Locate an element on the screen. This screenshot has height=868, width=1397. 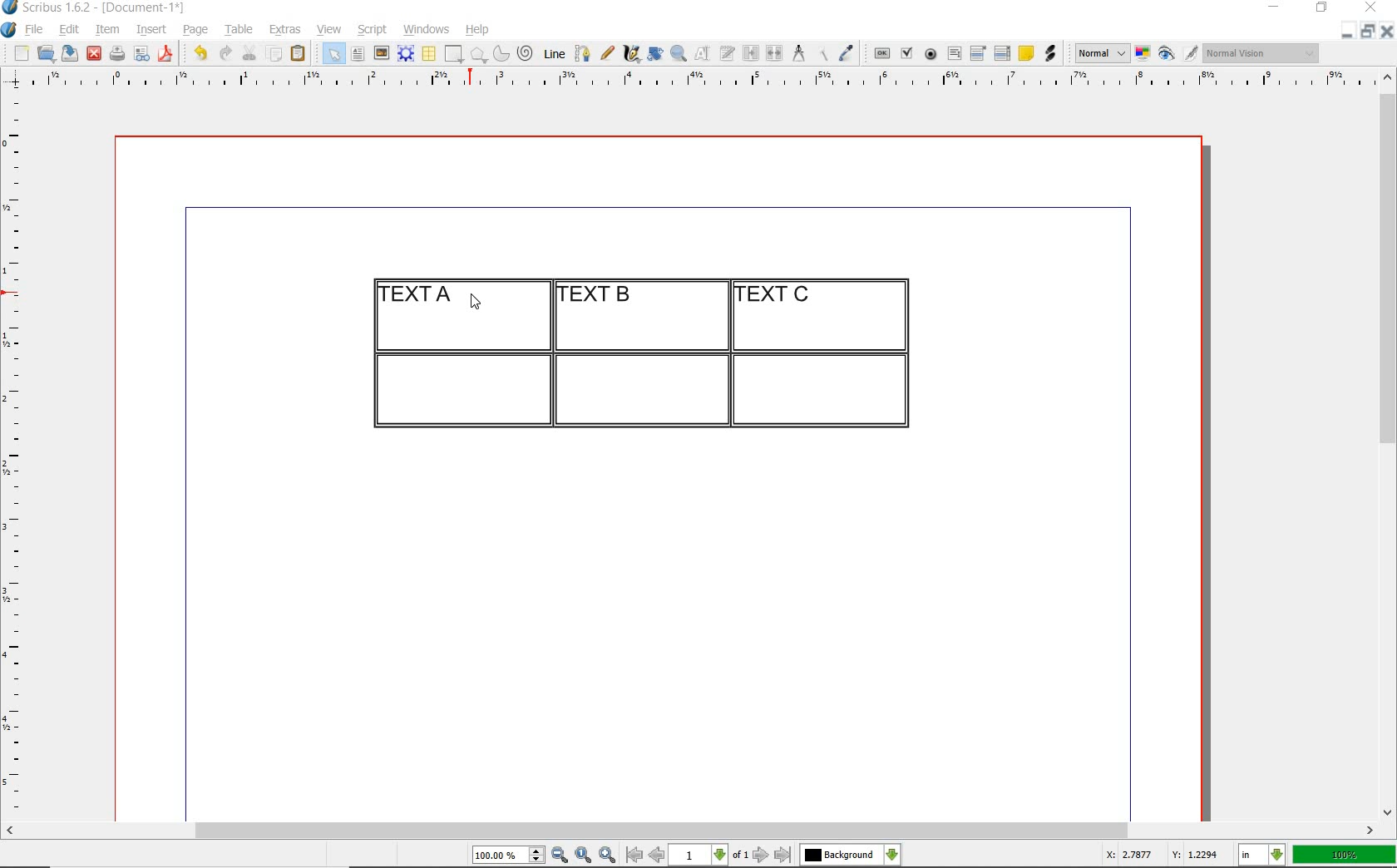
select current page level is located at coordinates (708, 855).